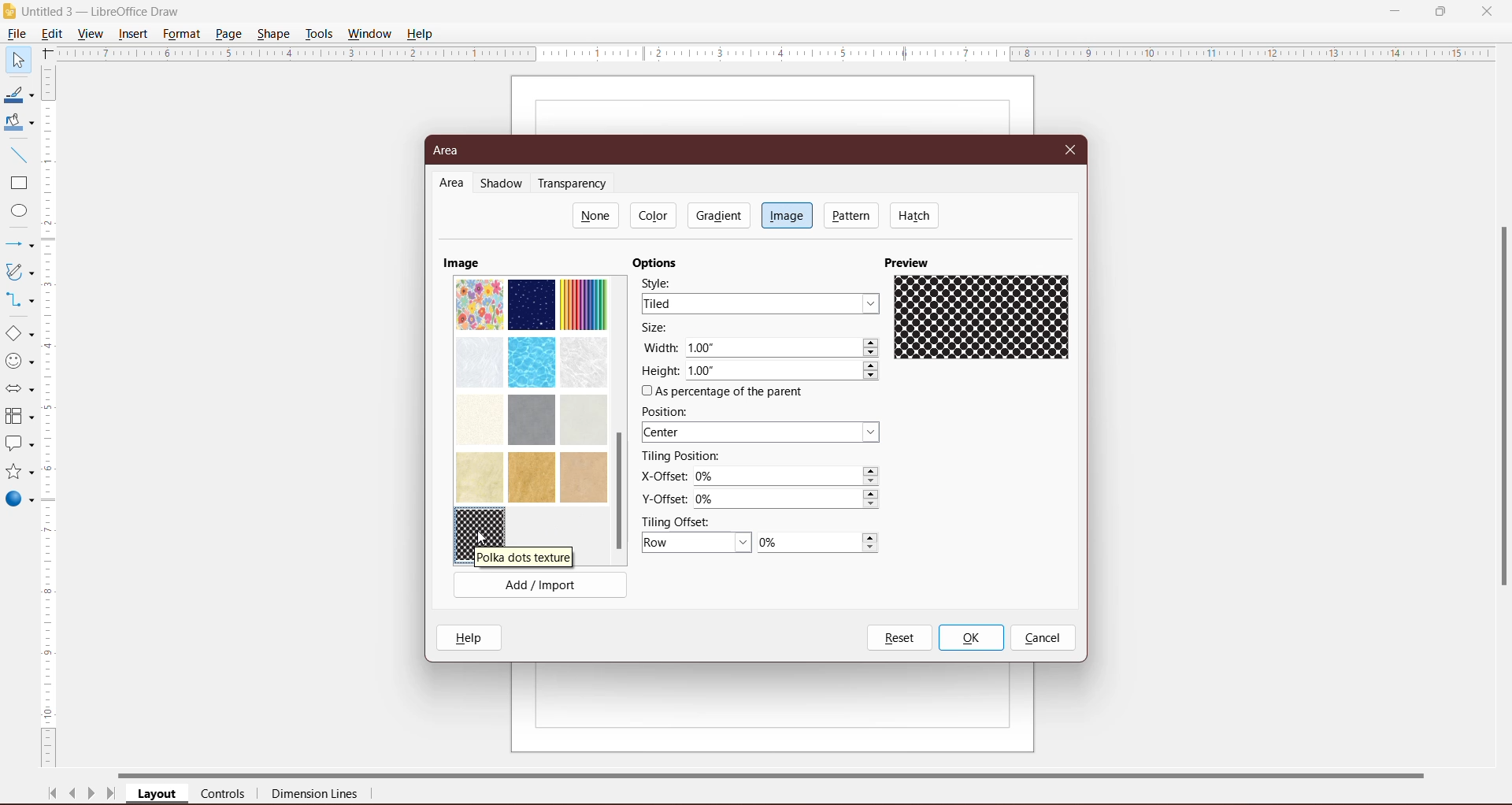 The height and width of the screenshot is (805, 1512). What do you see at coordinates (697, 543) in the screenshot?
I see `Set Tiling Offest` at bounding box center [697, 543].